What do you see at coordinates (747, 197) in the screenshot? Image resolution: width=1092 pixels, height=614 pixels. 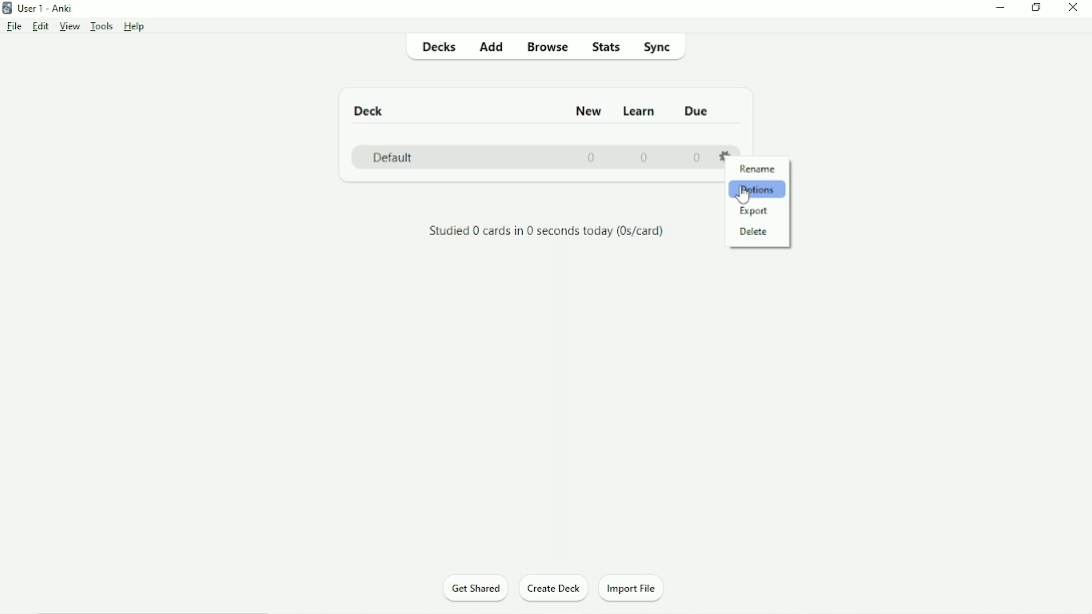 I see `Cursor` at bounding box center [747, 197].